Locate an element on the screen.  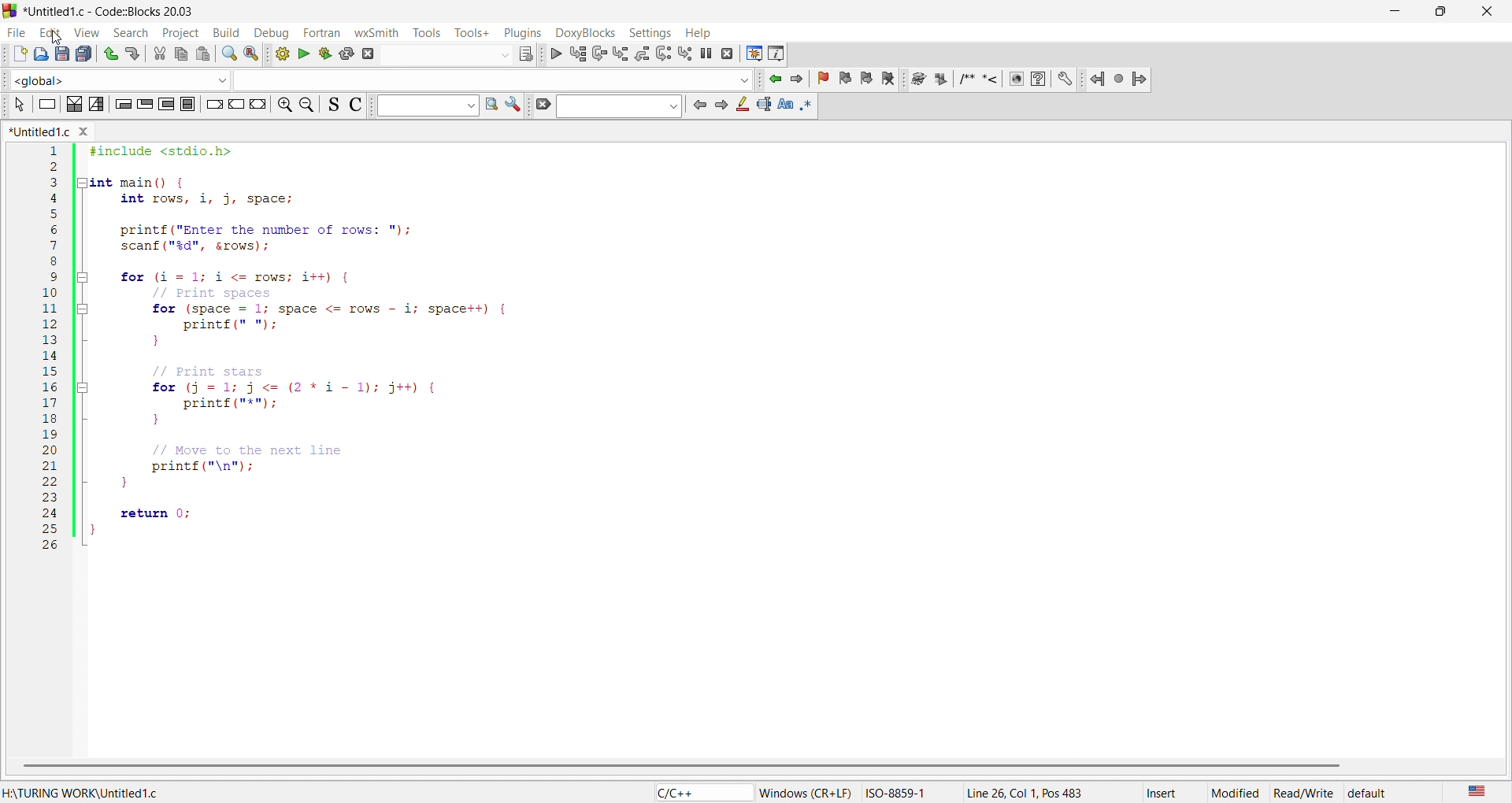
zoom out is located at coordinates (305, 107).